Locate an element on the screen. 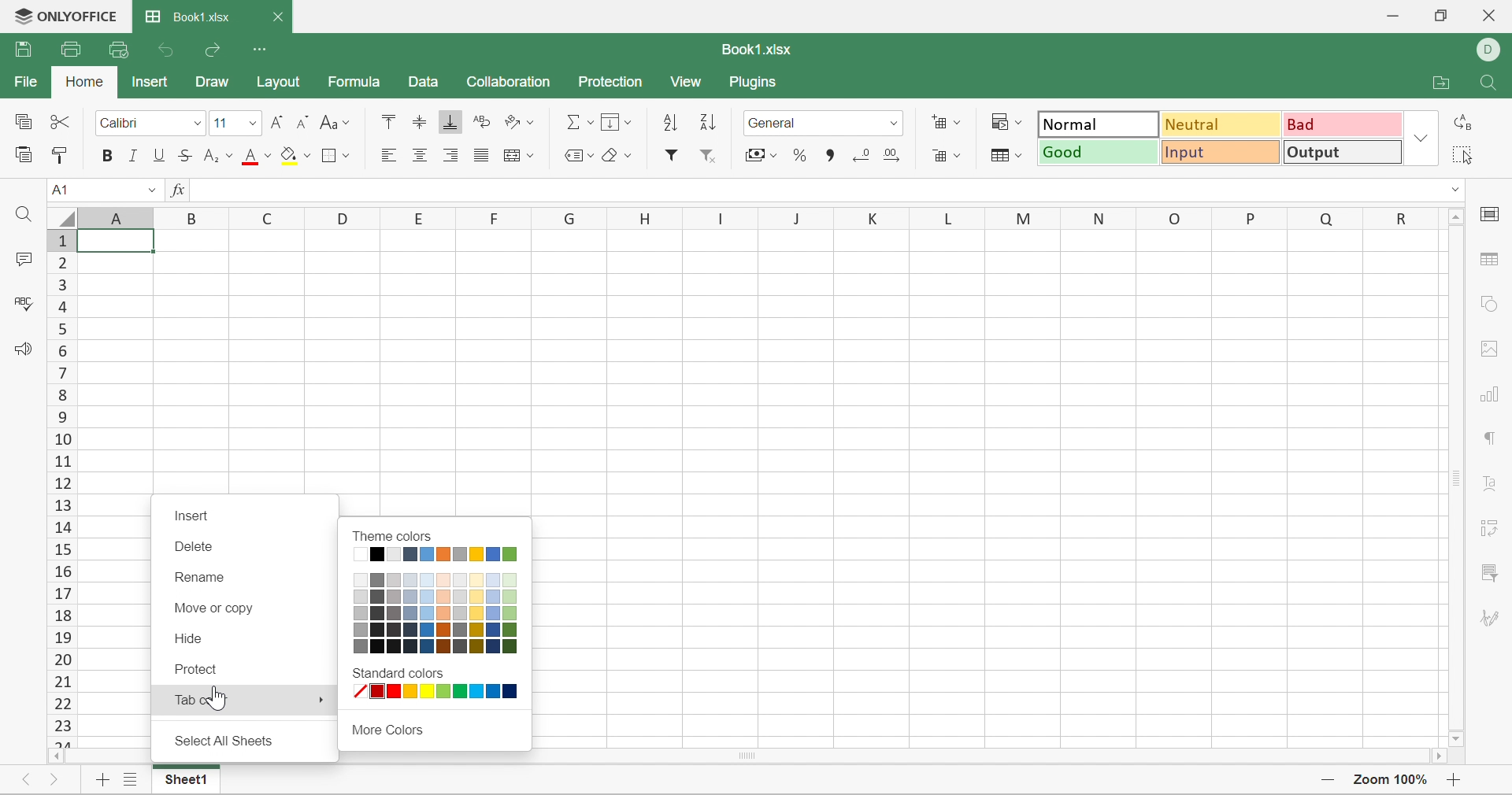  Orientation is located at coordinates (518, 122).